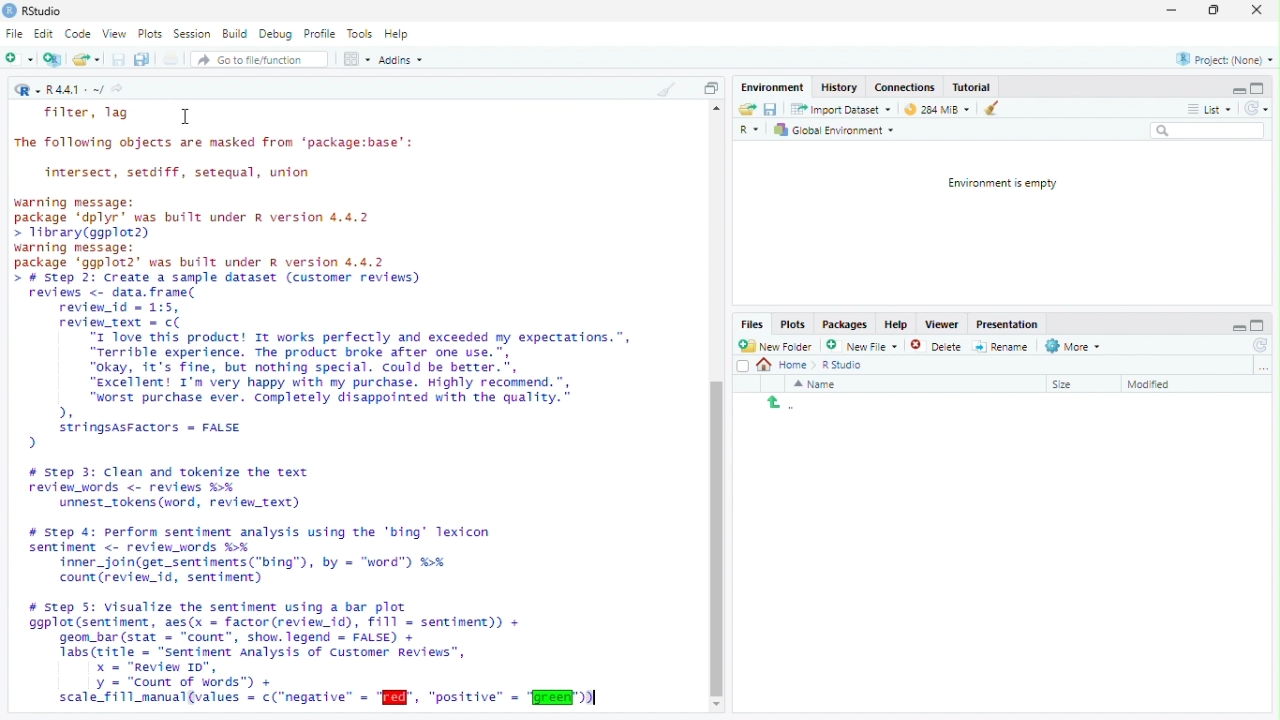 The image size is (1280, 720). I want to click on Print, so click(172, 59).